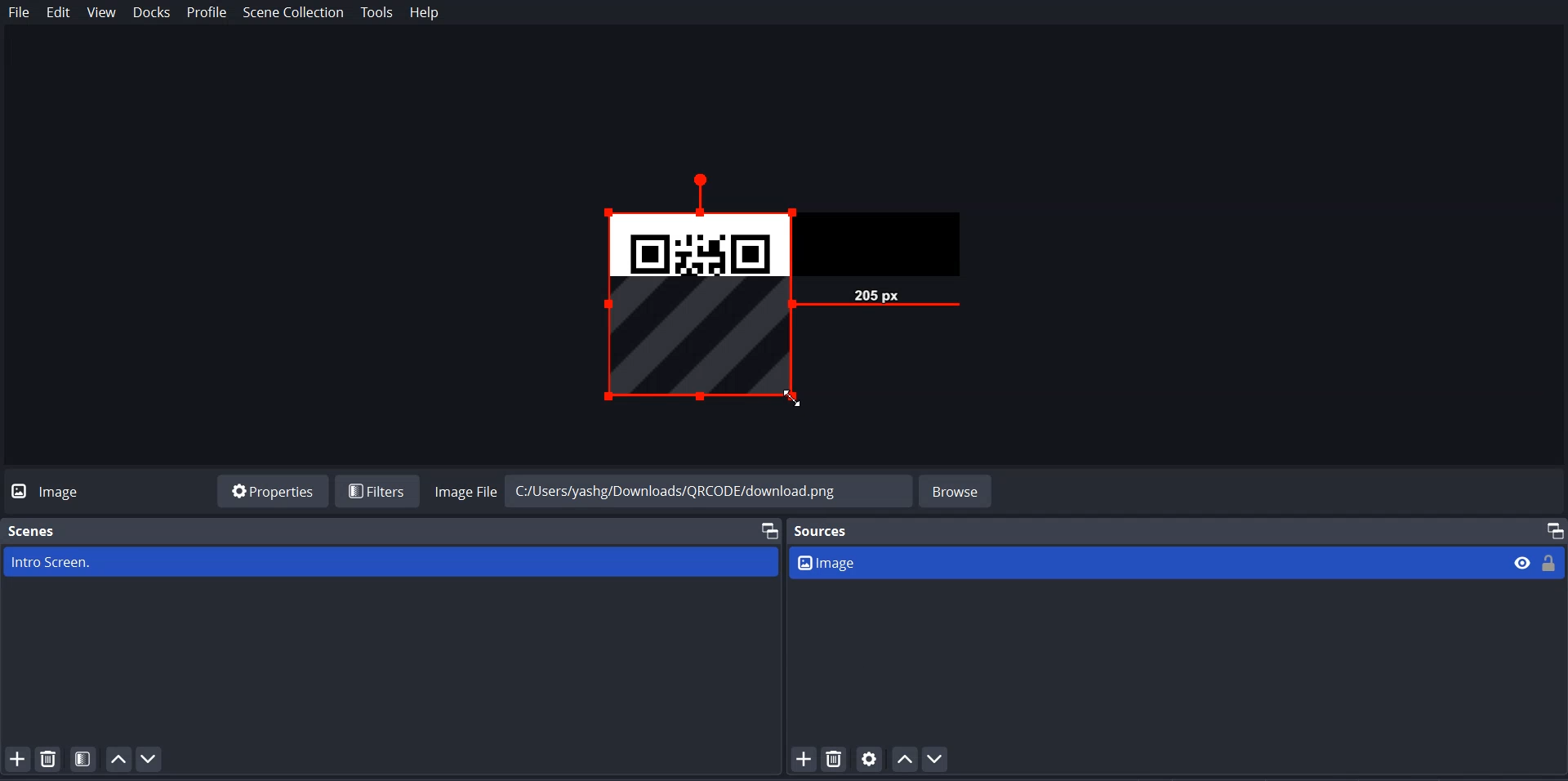 The width and height of the screenshot is (1568, 781). Describe the element at coordinates (1551, 561) in the screenshot. I see `Lock` at that location.